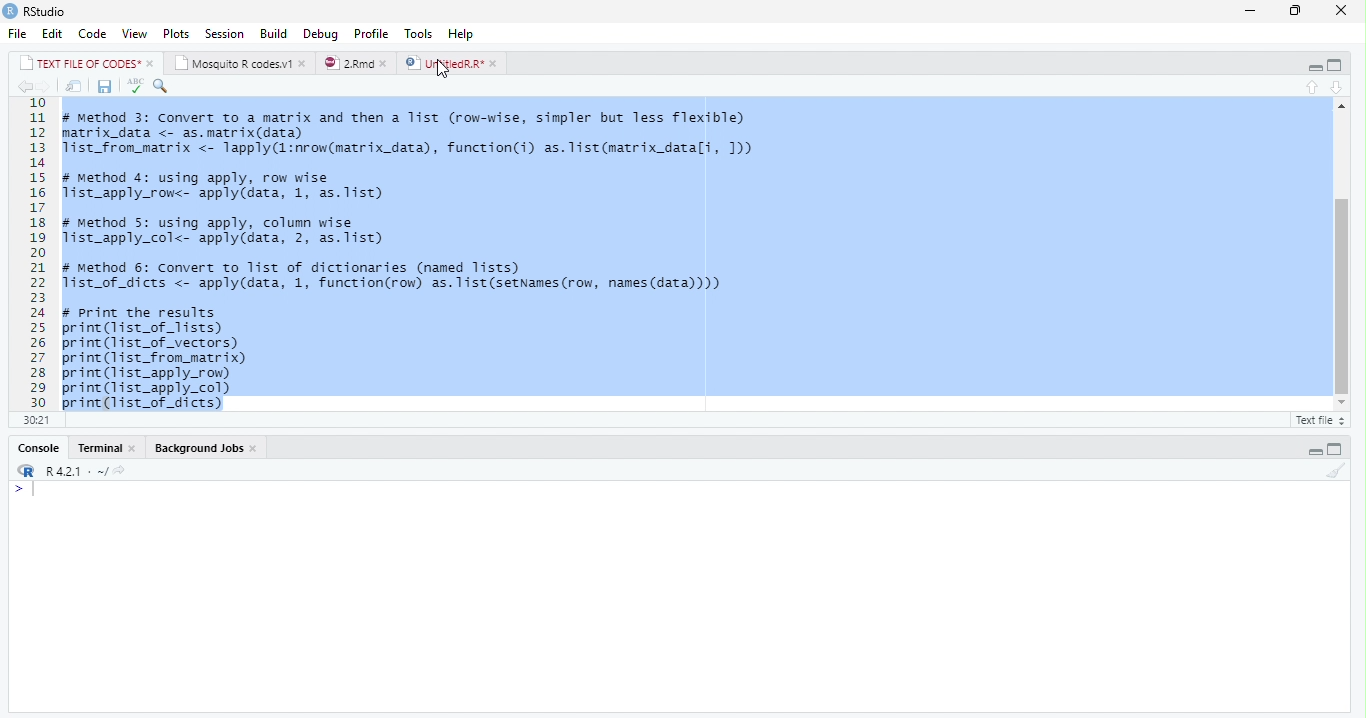  Describe the element at coordinates (678, 596) in the screenshot. I see `Console` at that location.